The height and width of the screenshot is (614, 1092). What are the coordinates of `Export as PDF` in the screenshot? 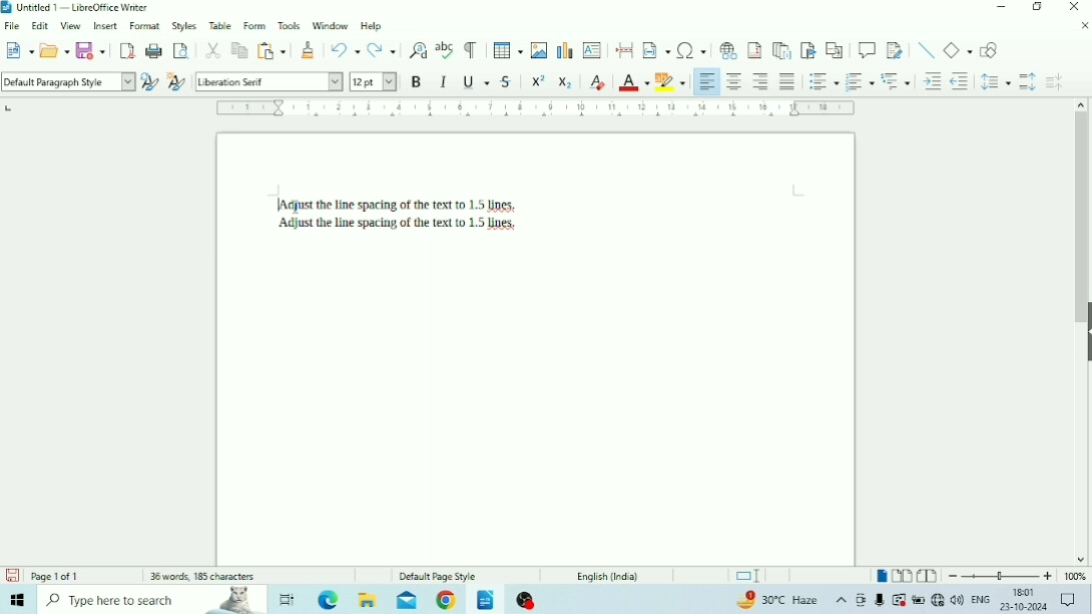 It's located at (126, 51).